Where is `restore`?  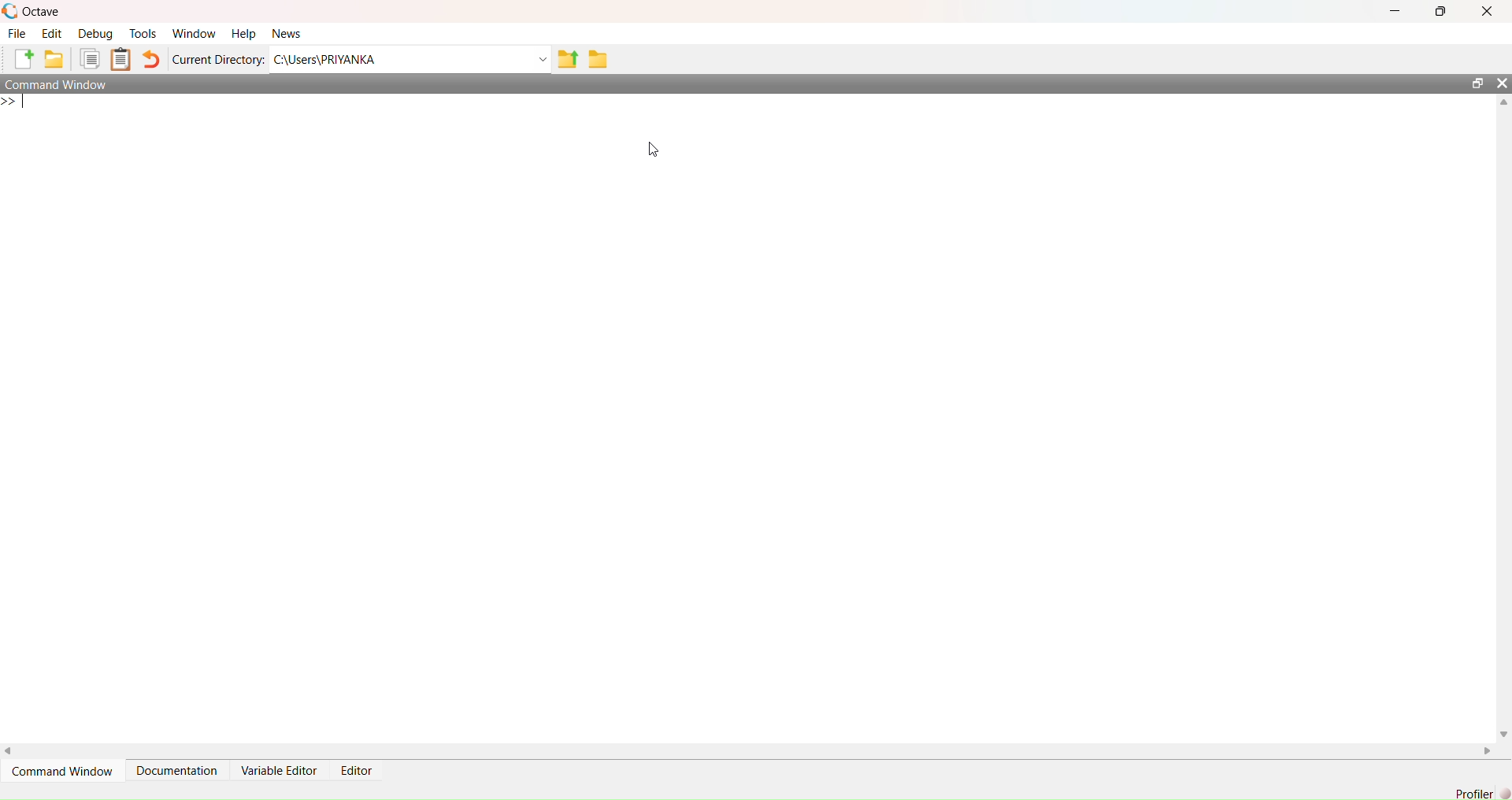
restore is located at coordinates (1440, 11).